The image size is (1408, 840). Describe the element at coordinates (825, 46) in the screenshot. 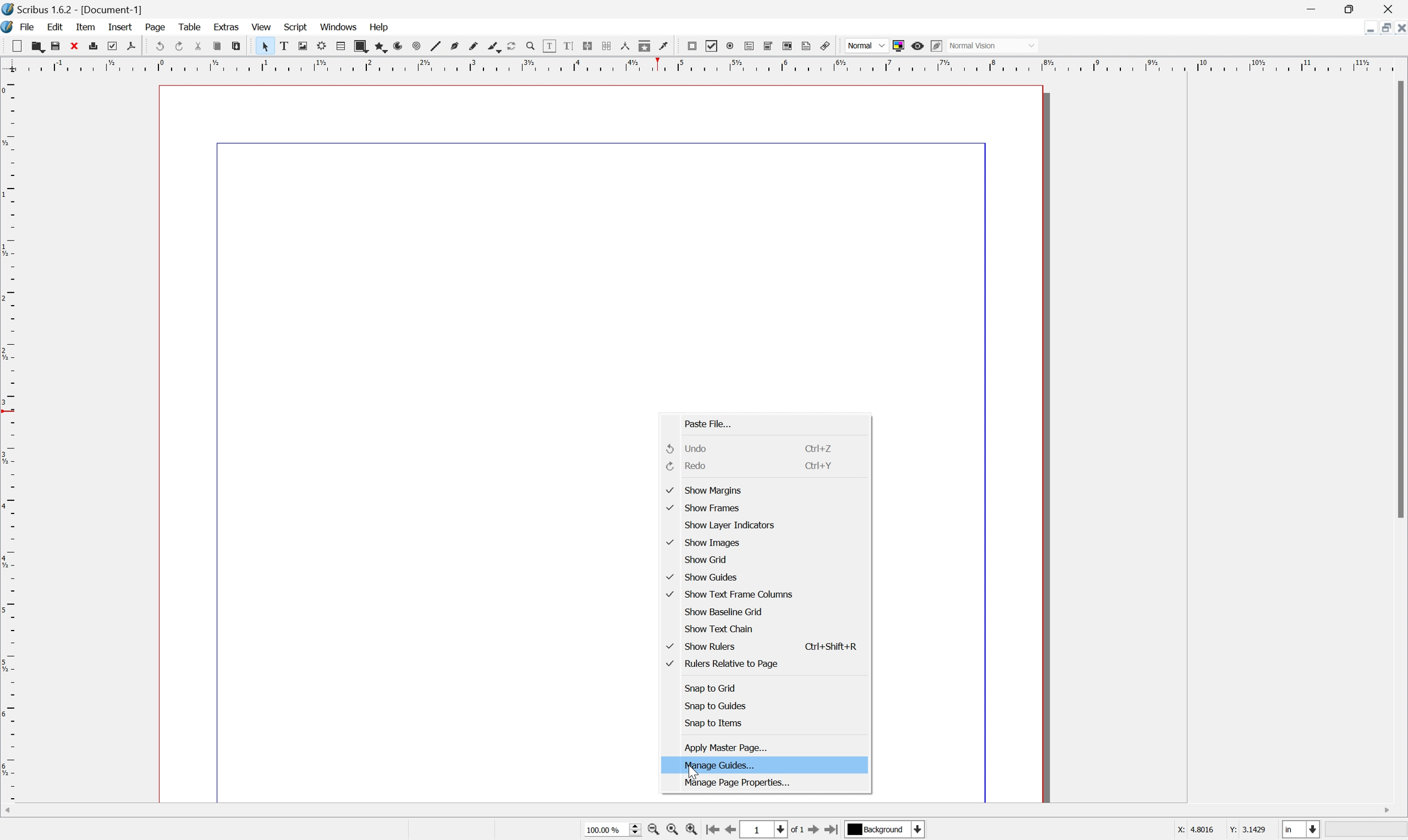

I see `link annotation` at that location.